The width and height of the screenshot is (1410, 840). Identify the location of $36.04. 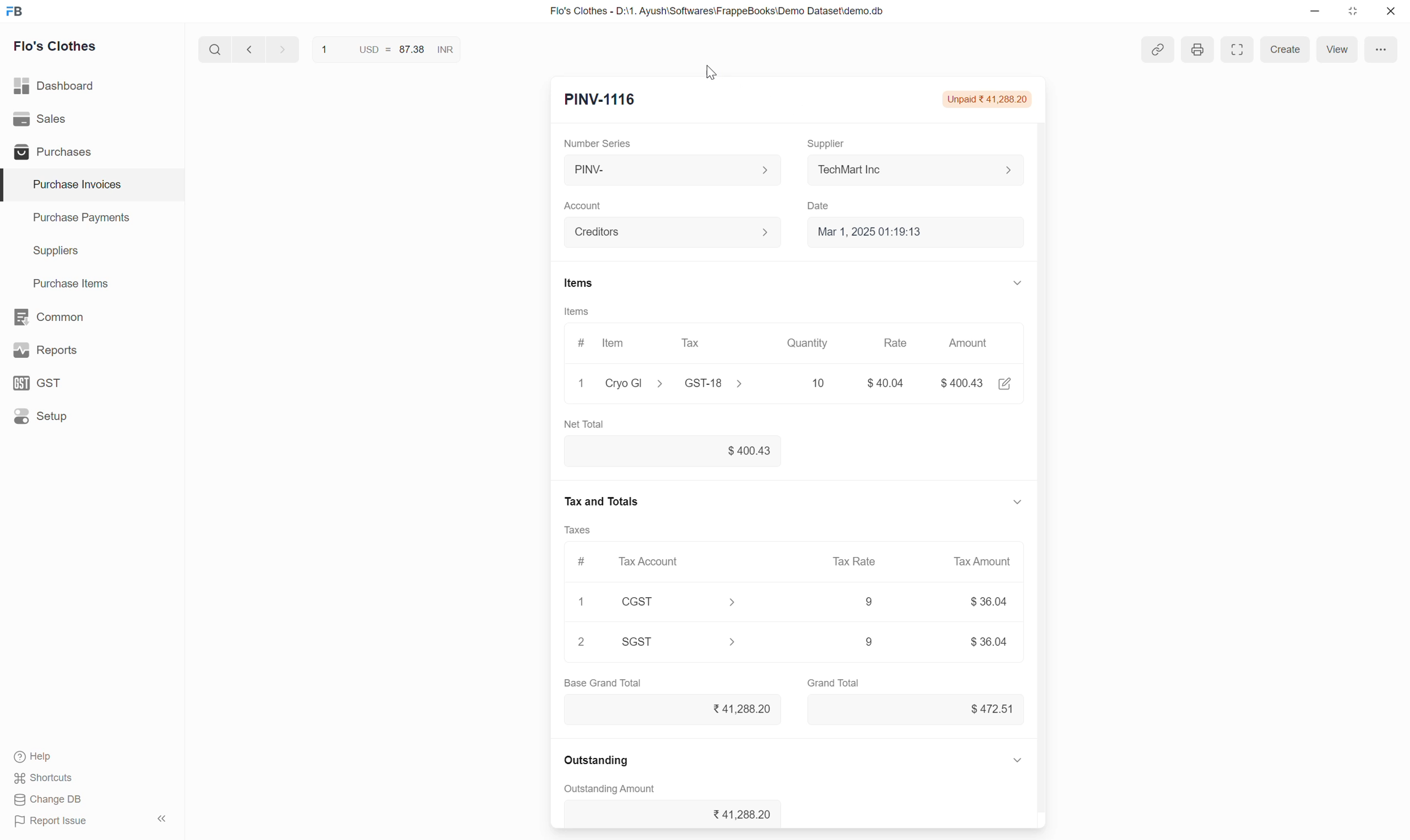
(988, 642).